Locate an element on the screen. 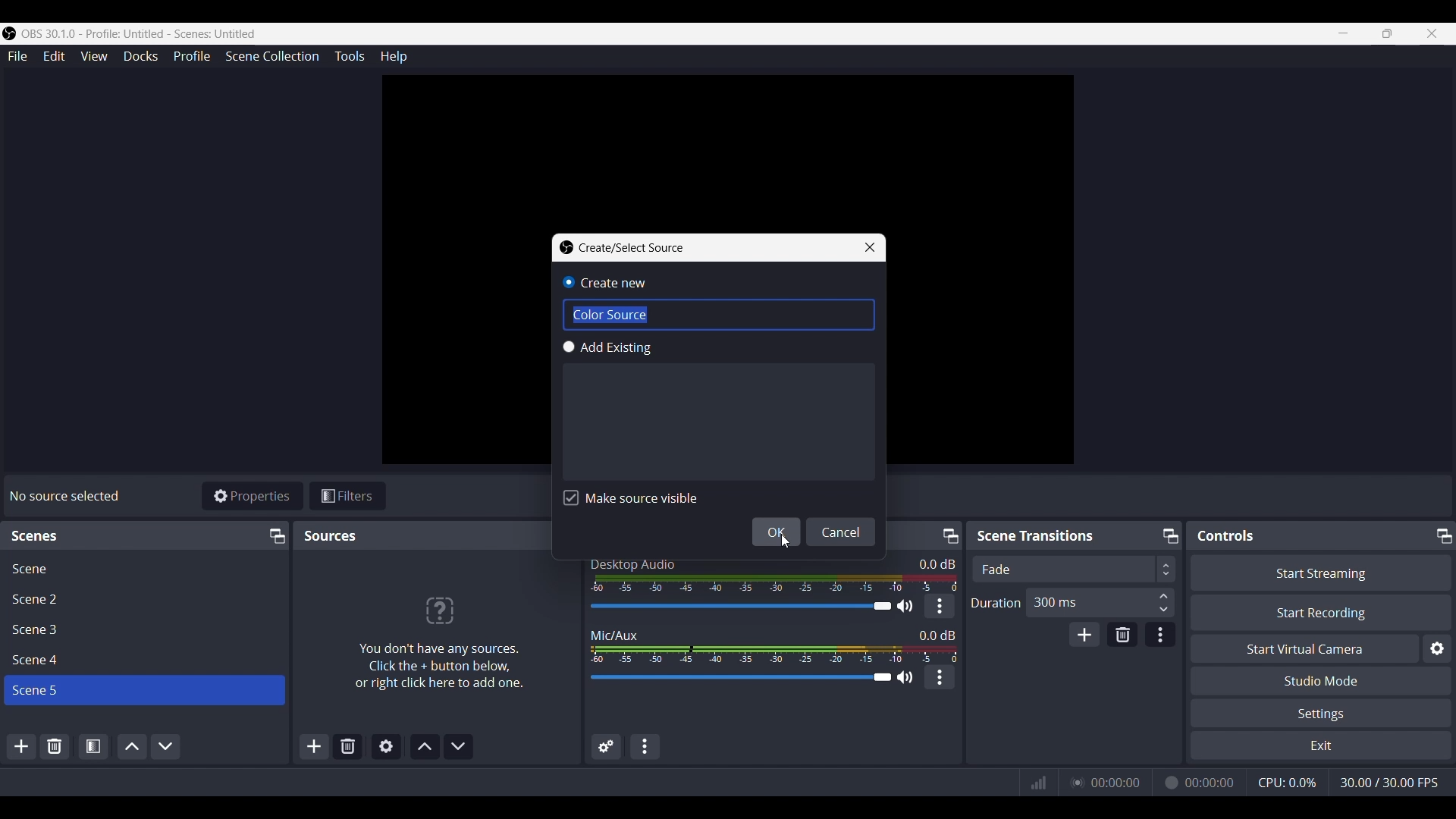 The height and width of the screenshot is (819, 1456). Studio Mode is located at coordinates (1322, 680).